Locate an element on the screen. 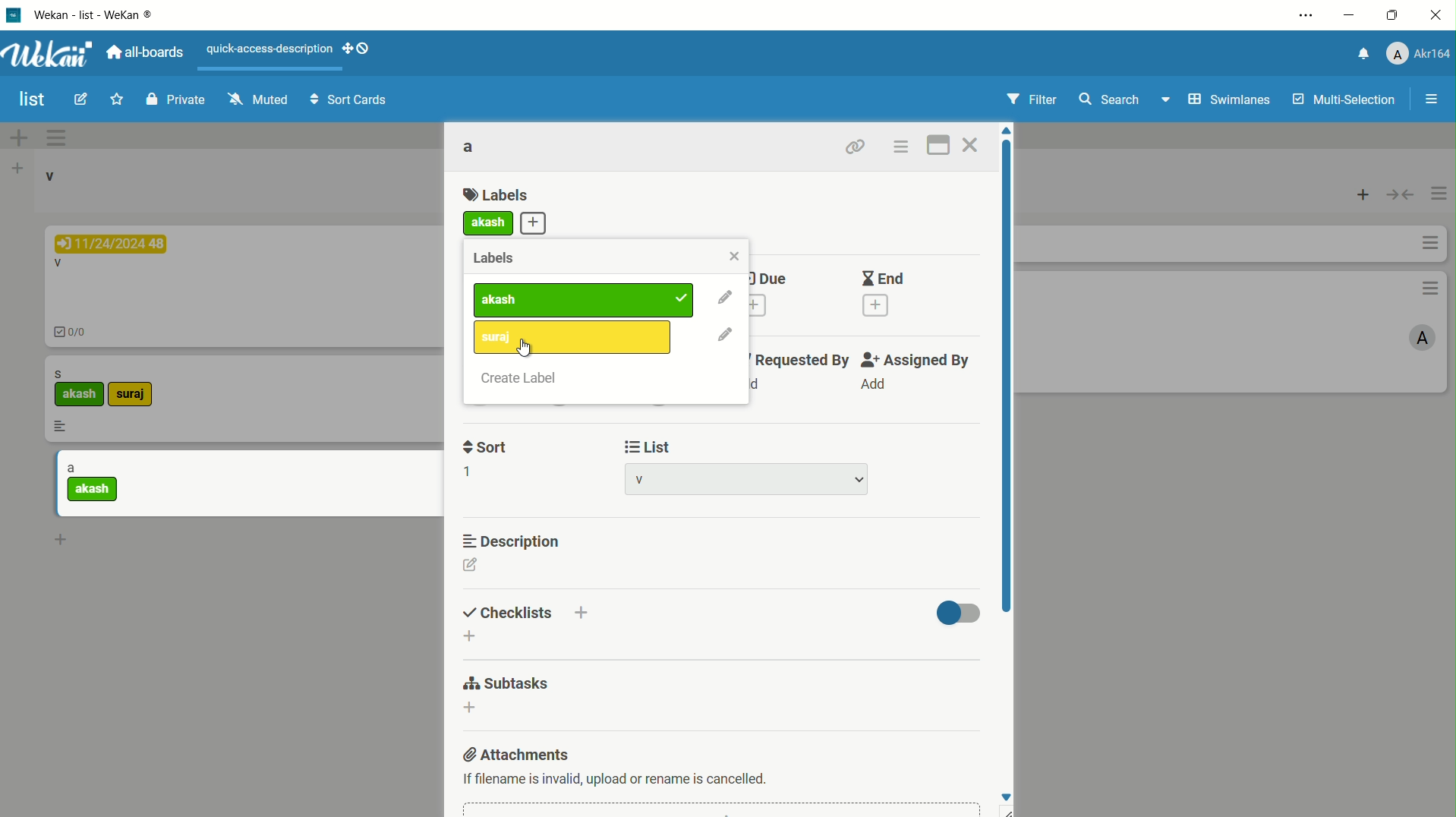 The width and height of the screenshot is (1456, 817). card actions is located at coordinates (900, 147).